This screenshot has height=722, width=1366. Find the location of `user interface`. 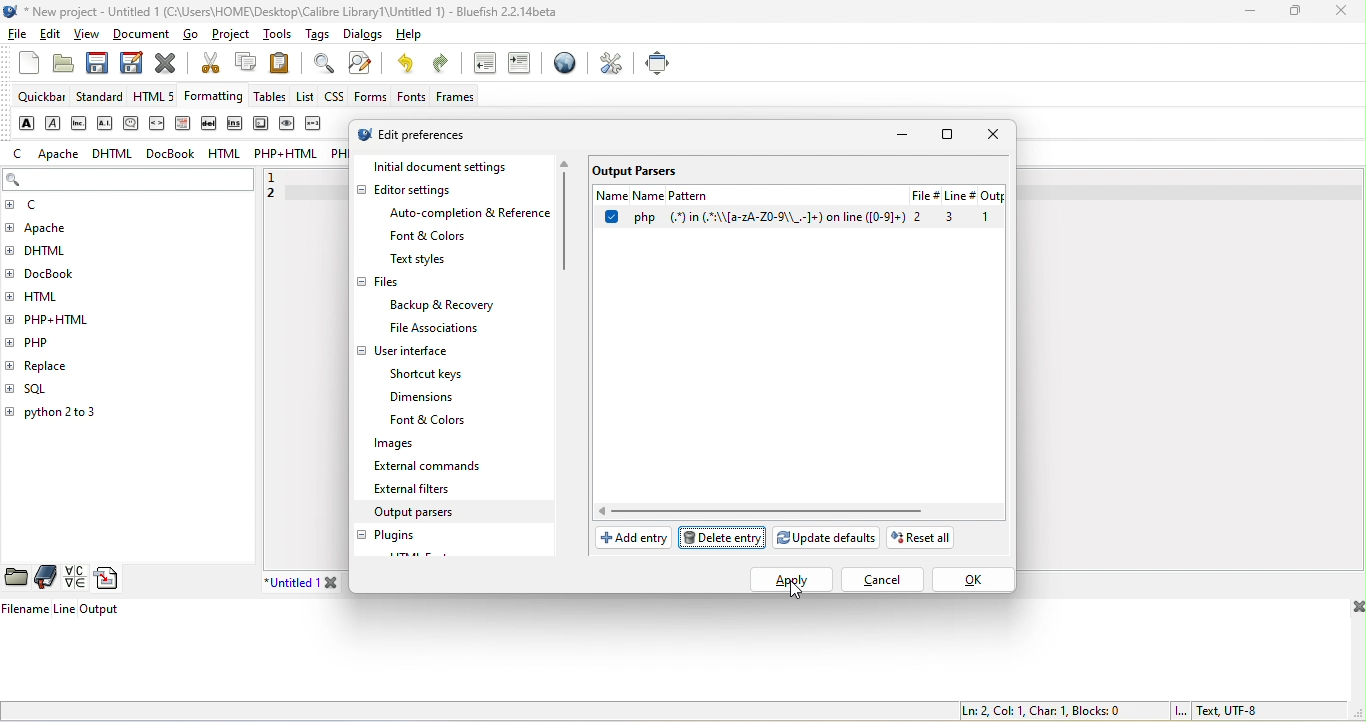

user interface is located at coordinates (405, 352).